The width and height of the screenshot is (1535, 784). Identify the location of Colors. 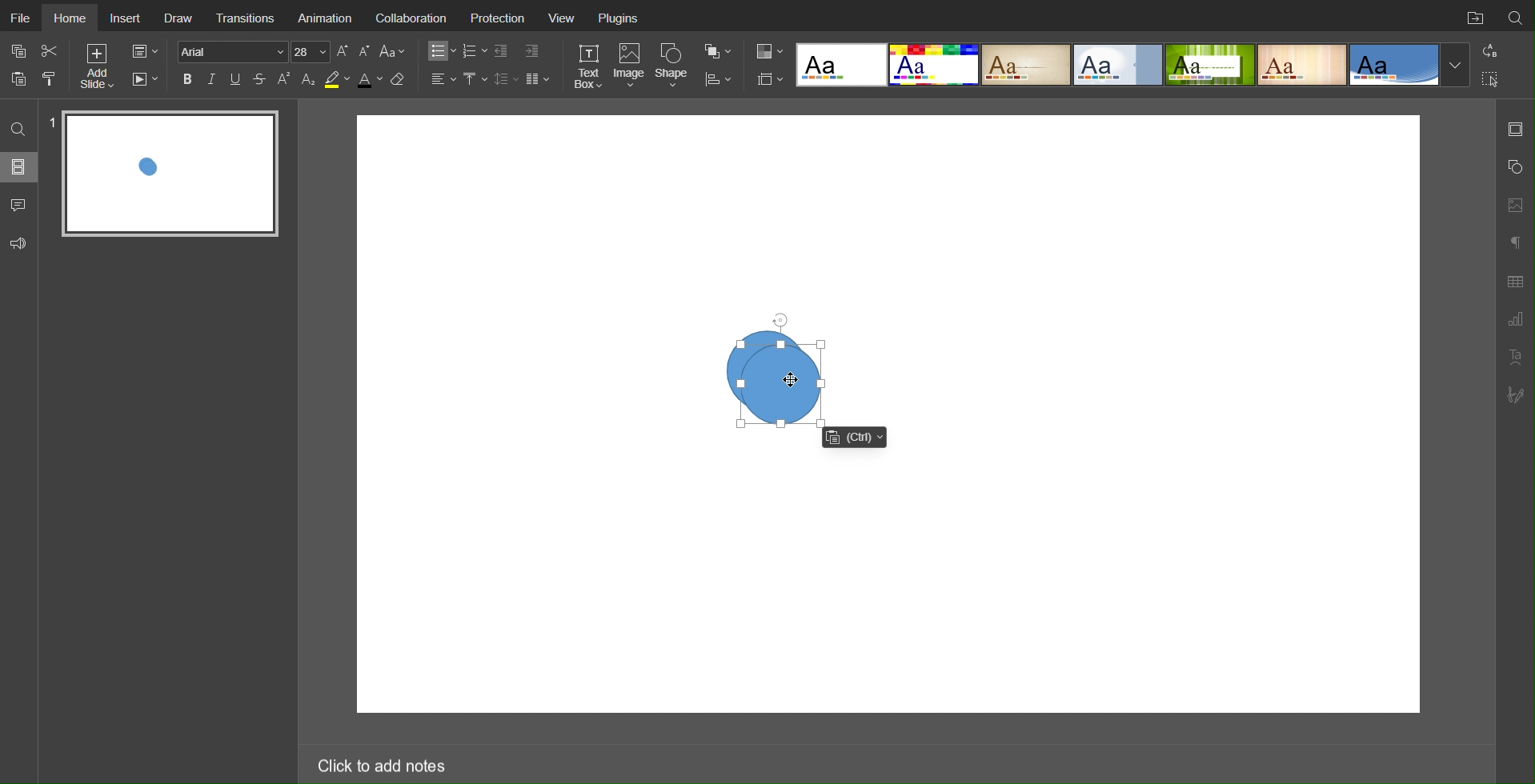
(767, 50).